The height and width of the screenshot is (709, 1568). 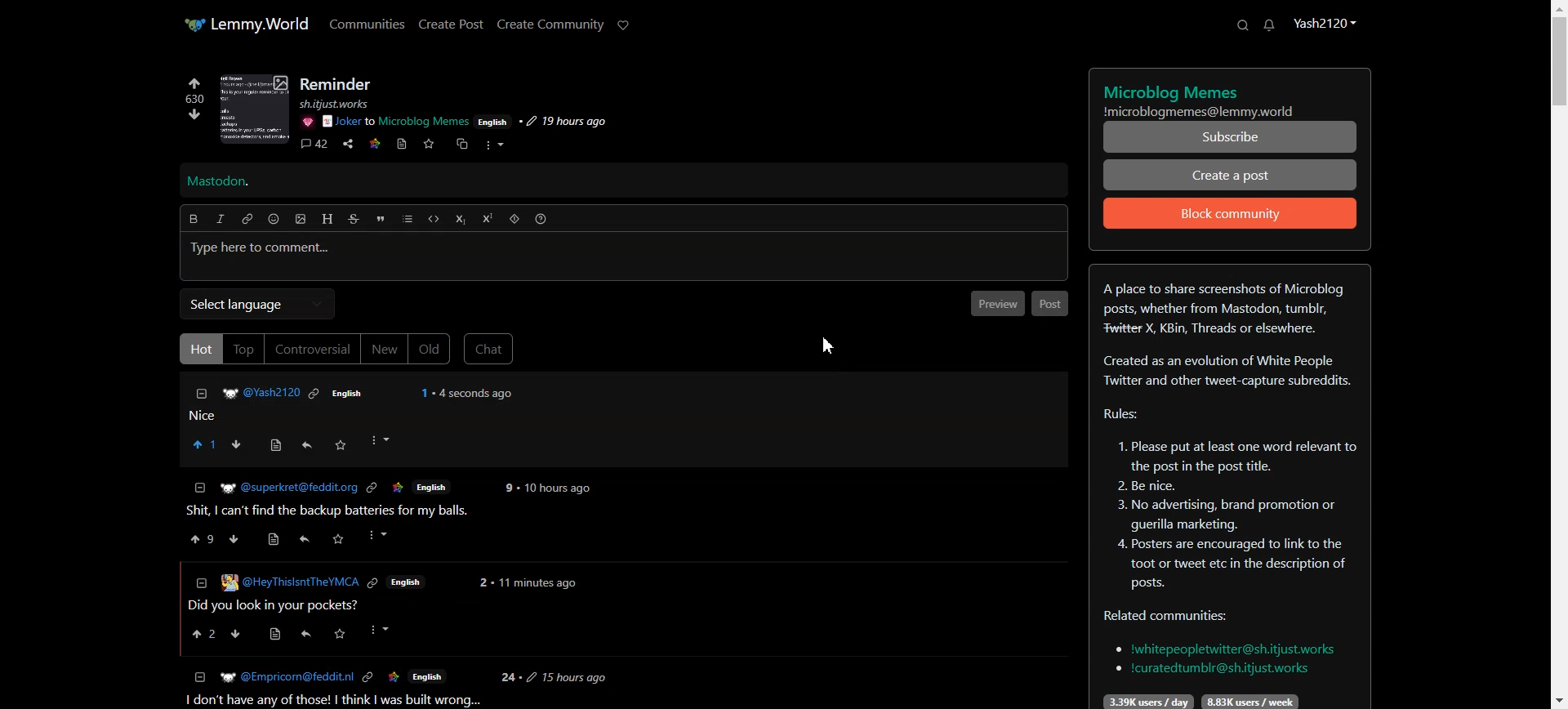 I want to click on Text, so click(x=1231, y=96).